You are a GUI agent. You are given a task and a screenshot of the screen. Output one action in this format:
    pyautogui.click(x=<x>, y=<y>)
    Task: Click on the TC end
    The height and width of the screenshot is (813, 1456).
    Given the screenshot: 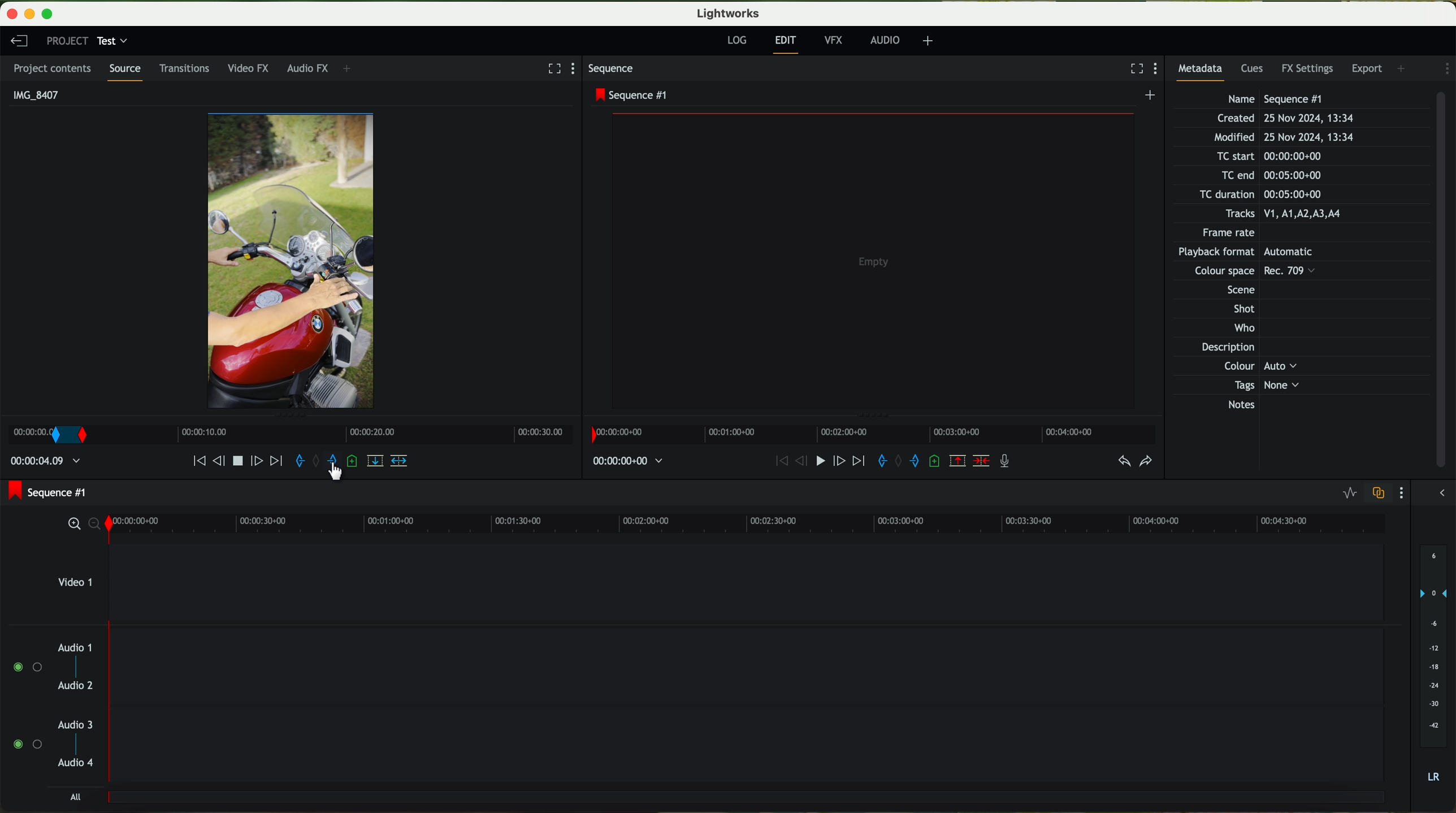 What is the action you would take?
    pyautogui.click(x=1286, y=176)
    